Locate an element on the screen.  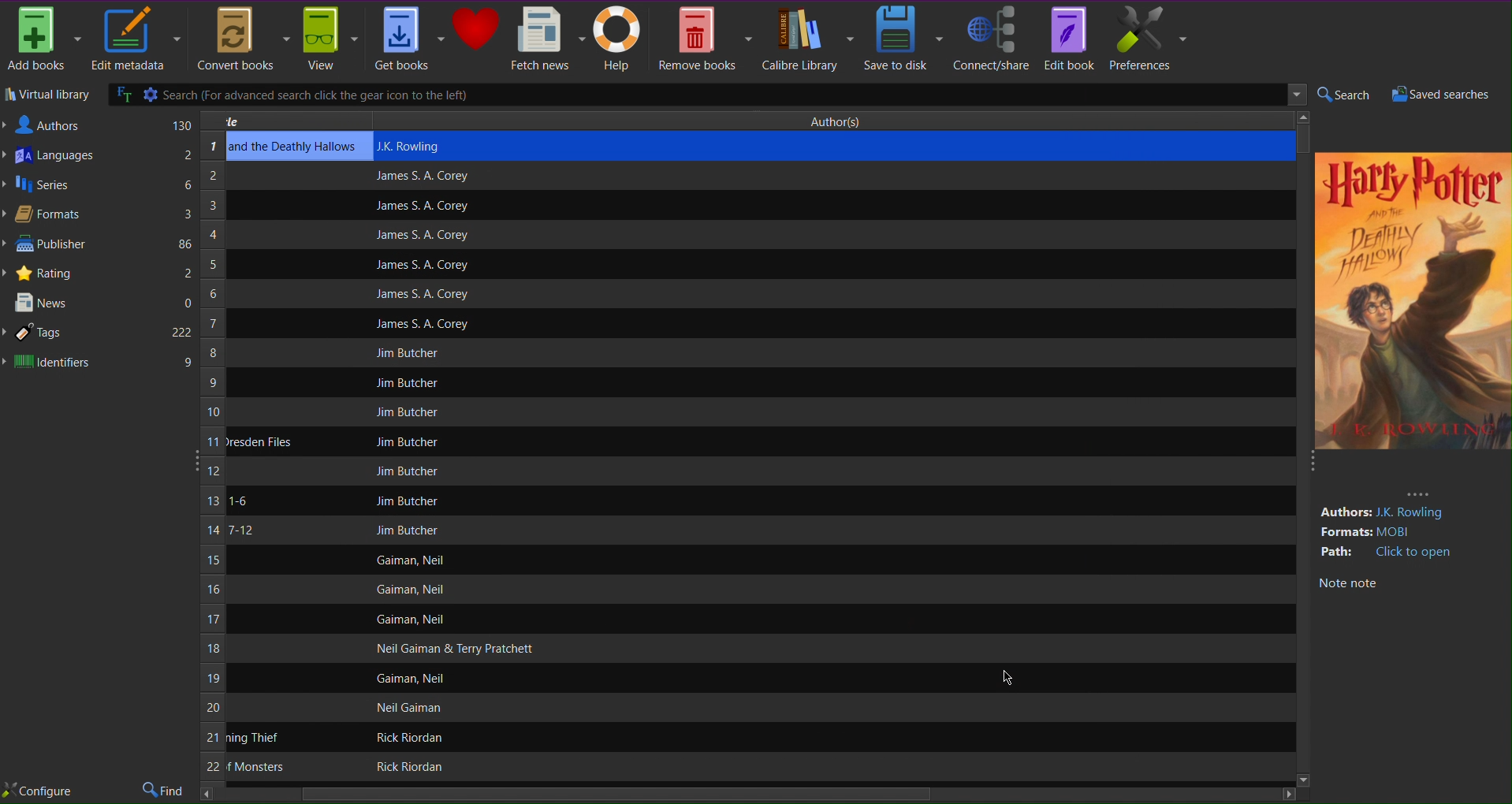
Jim Butcher is located at coordinates (411, 441).